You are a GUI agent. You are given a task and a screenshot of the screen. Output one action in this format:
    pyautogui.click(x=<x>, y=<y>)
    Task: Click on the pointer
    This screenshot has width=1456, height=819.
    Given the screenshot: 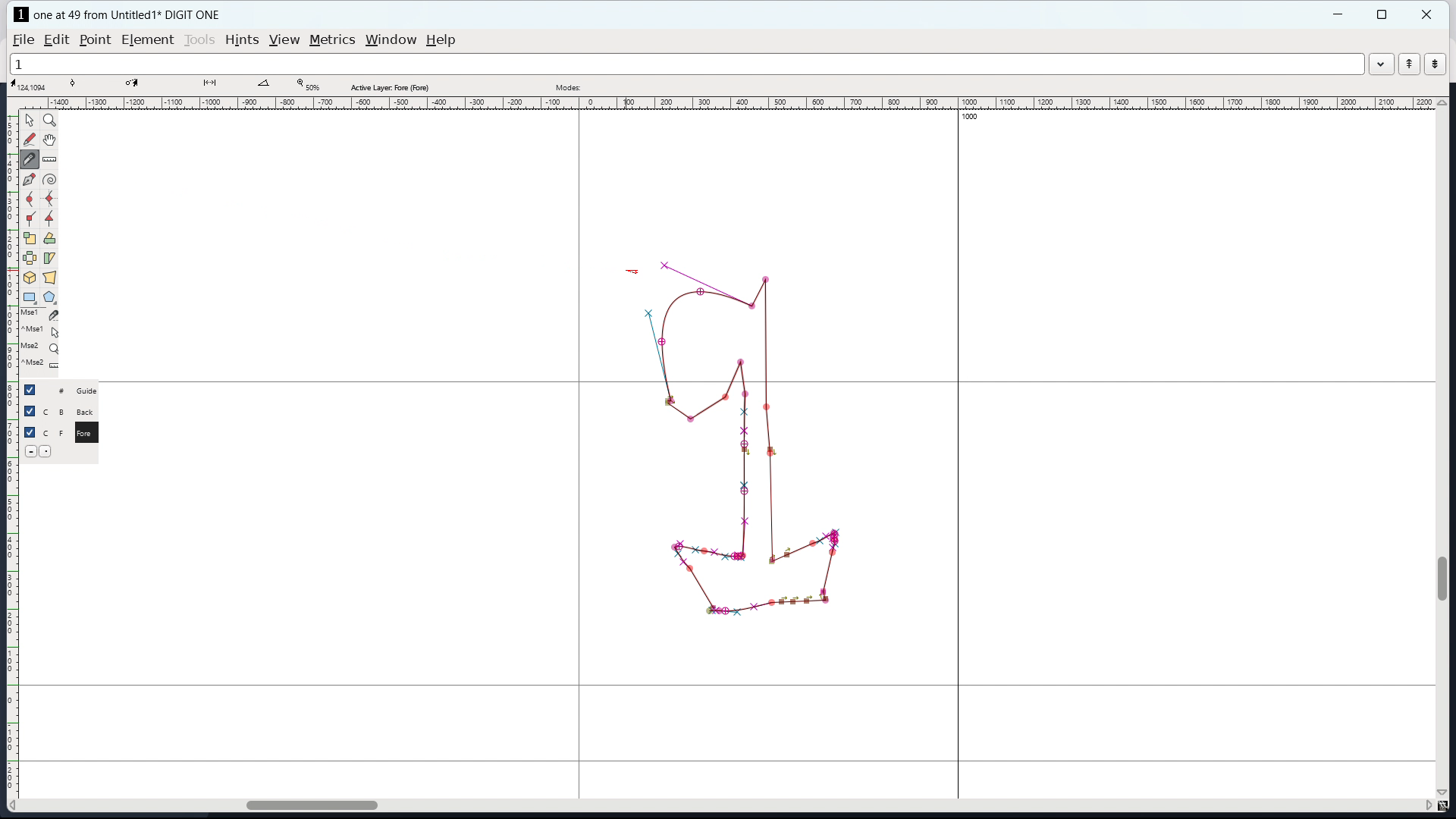 What is the action you would take?
    pyautogui.click(x=30, y=119)
    